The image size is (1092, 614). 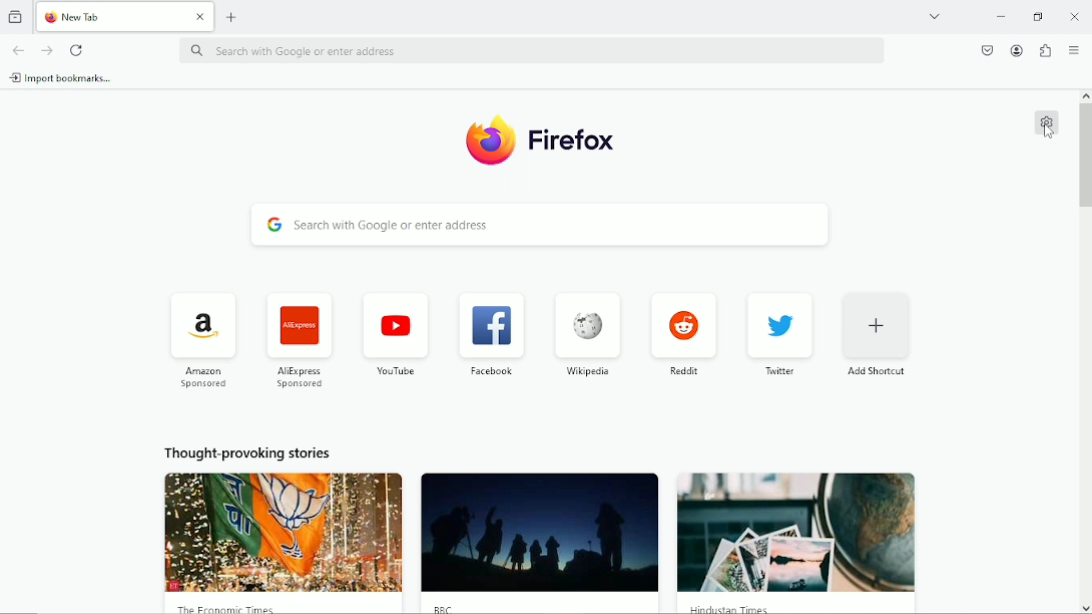 What do you see at coordinates (491, 334) in the screenshot?
I see `Facebook` at bounding box center [491, 334].